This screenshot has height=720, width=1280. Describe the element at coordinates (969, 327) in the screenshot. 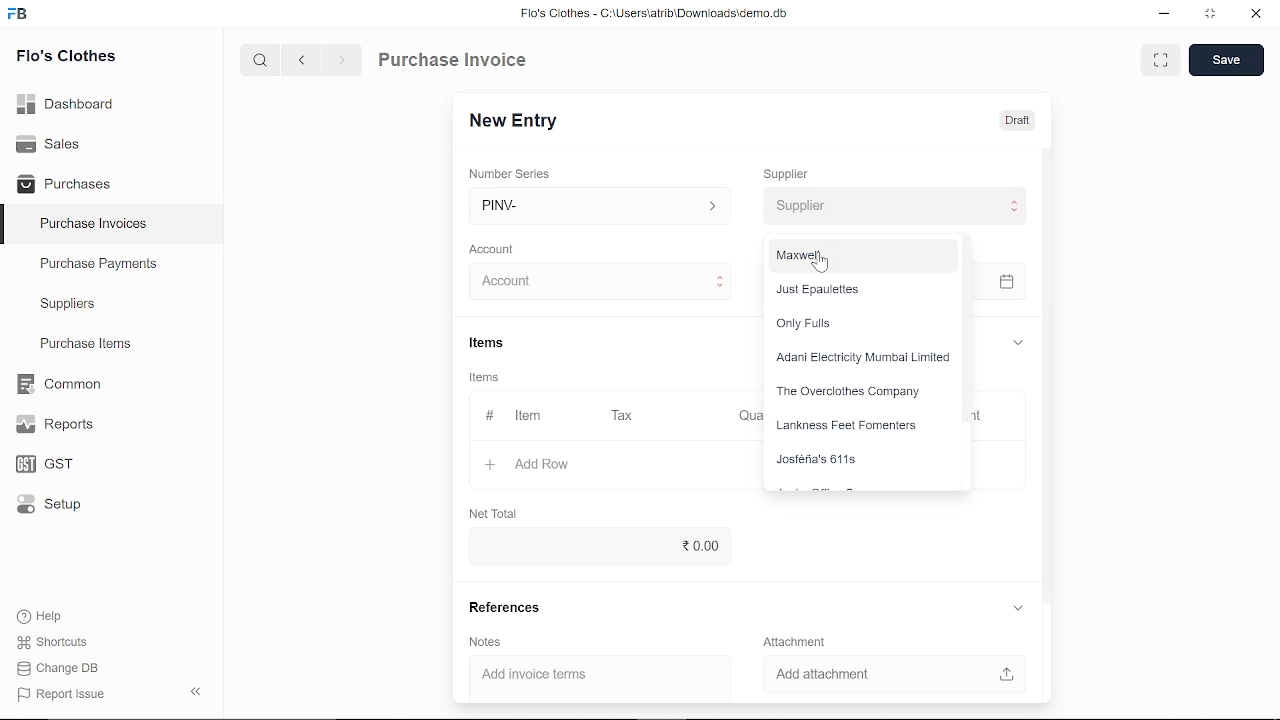

I see `vertical scollbar` at that location.